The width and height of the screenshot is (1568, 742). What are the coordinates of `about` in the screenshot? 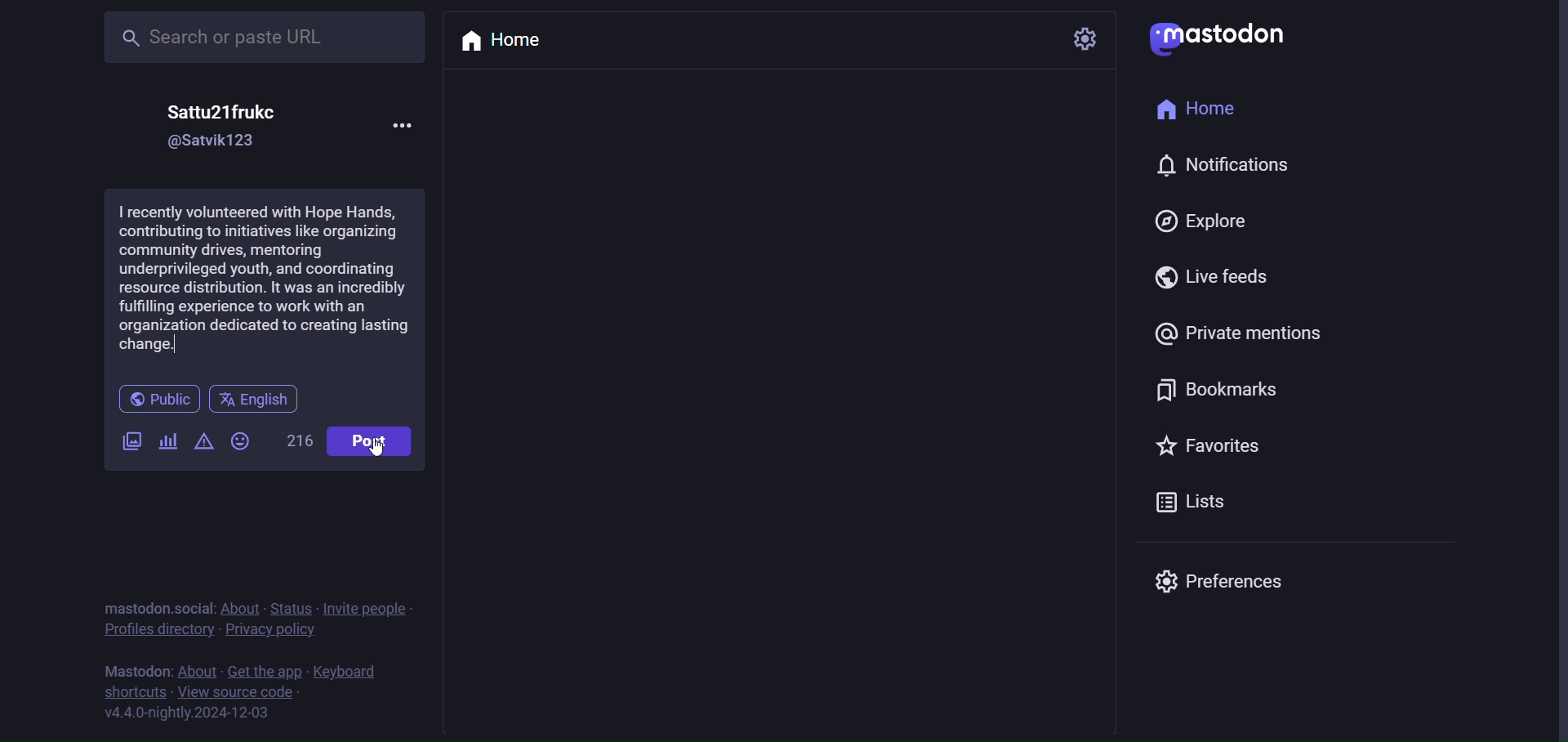 It's located at (238, 608).